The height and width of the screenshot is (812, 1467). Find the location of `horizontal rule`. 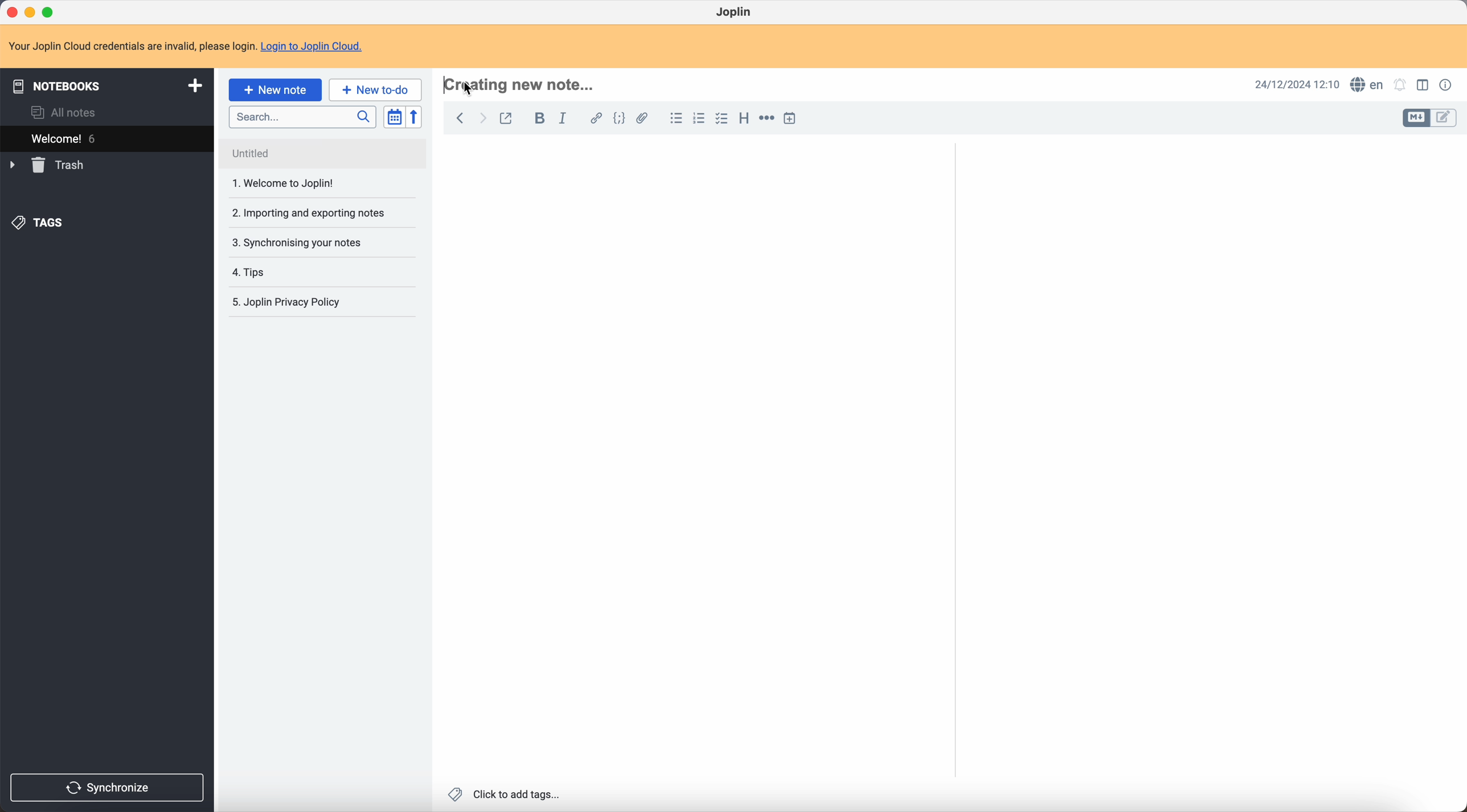

horizontal rule is located at coordinates (766, 120).